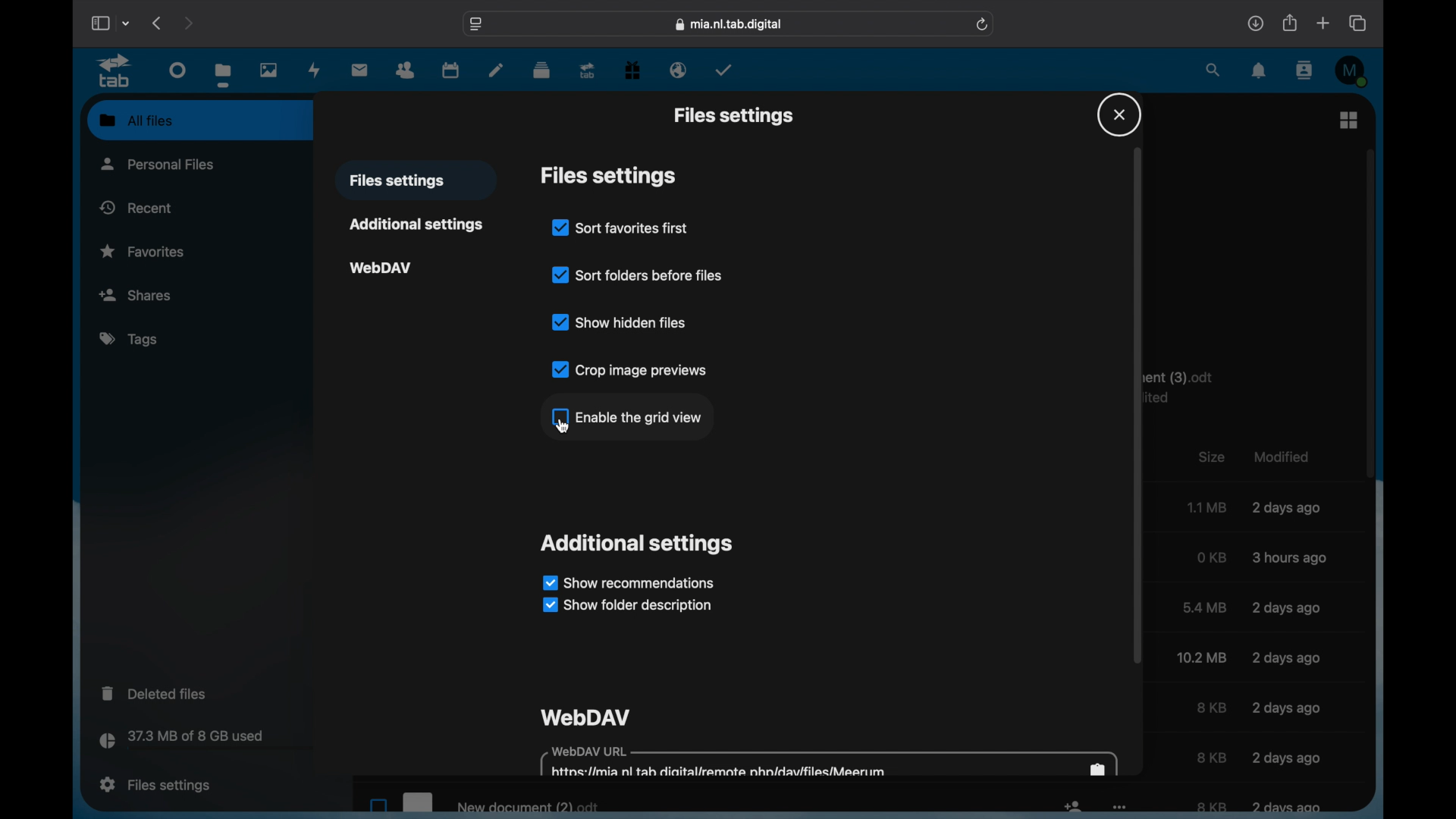 This screenshot has width=1456, height=819. Describe the element at coordinates (1287, 657) in the screenshot. I see `modified` at that location.